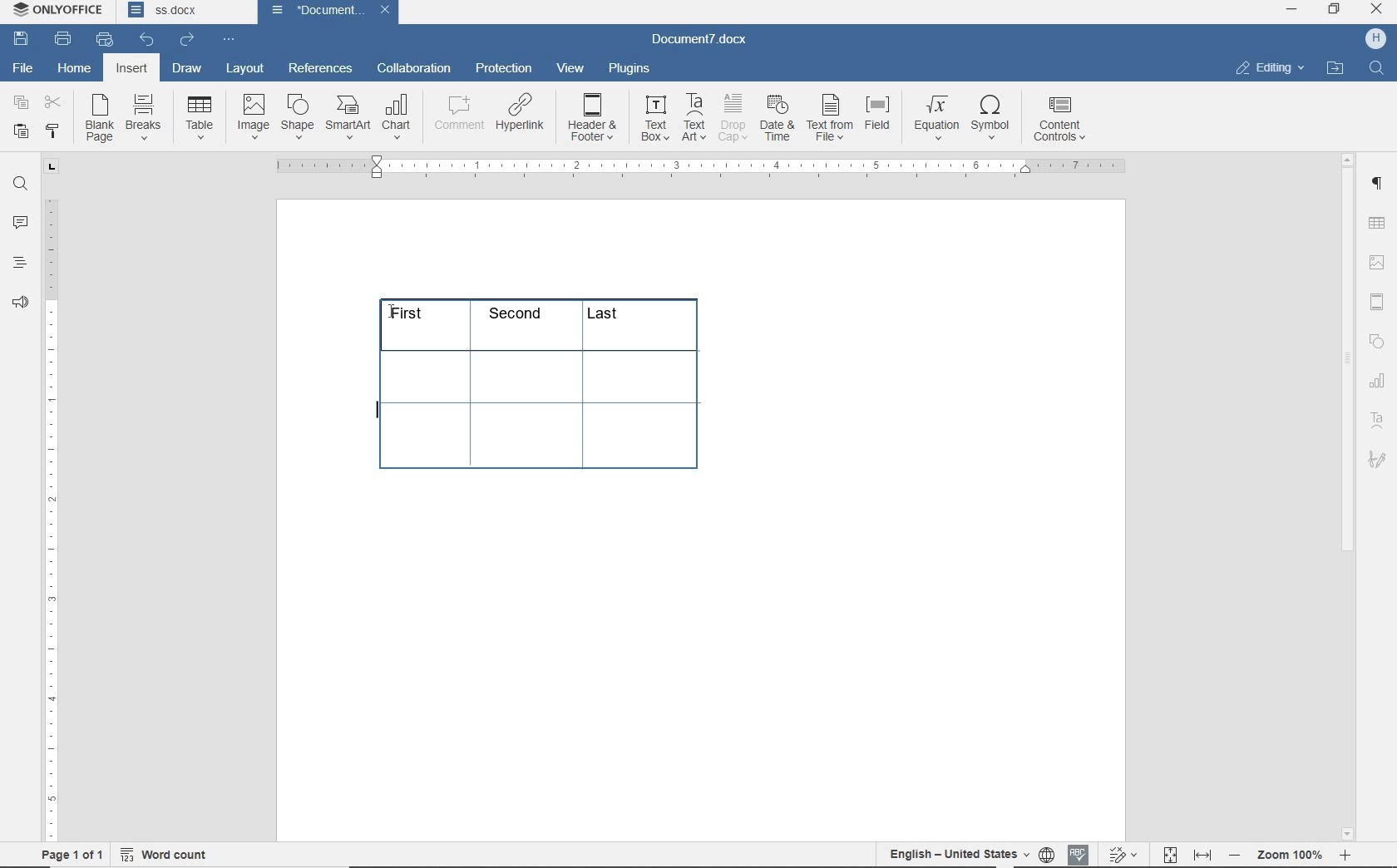 The width and height of the screenshot is (1397, 868). I want to click on customize quick access toolbar, so click(228, 40).